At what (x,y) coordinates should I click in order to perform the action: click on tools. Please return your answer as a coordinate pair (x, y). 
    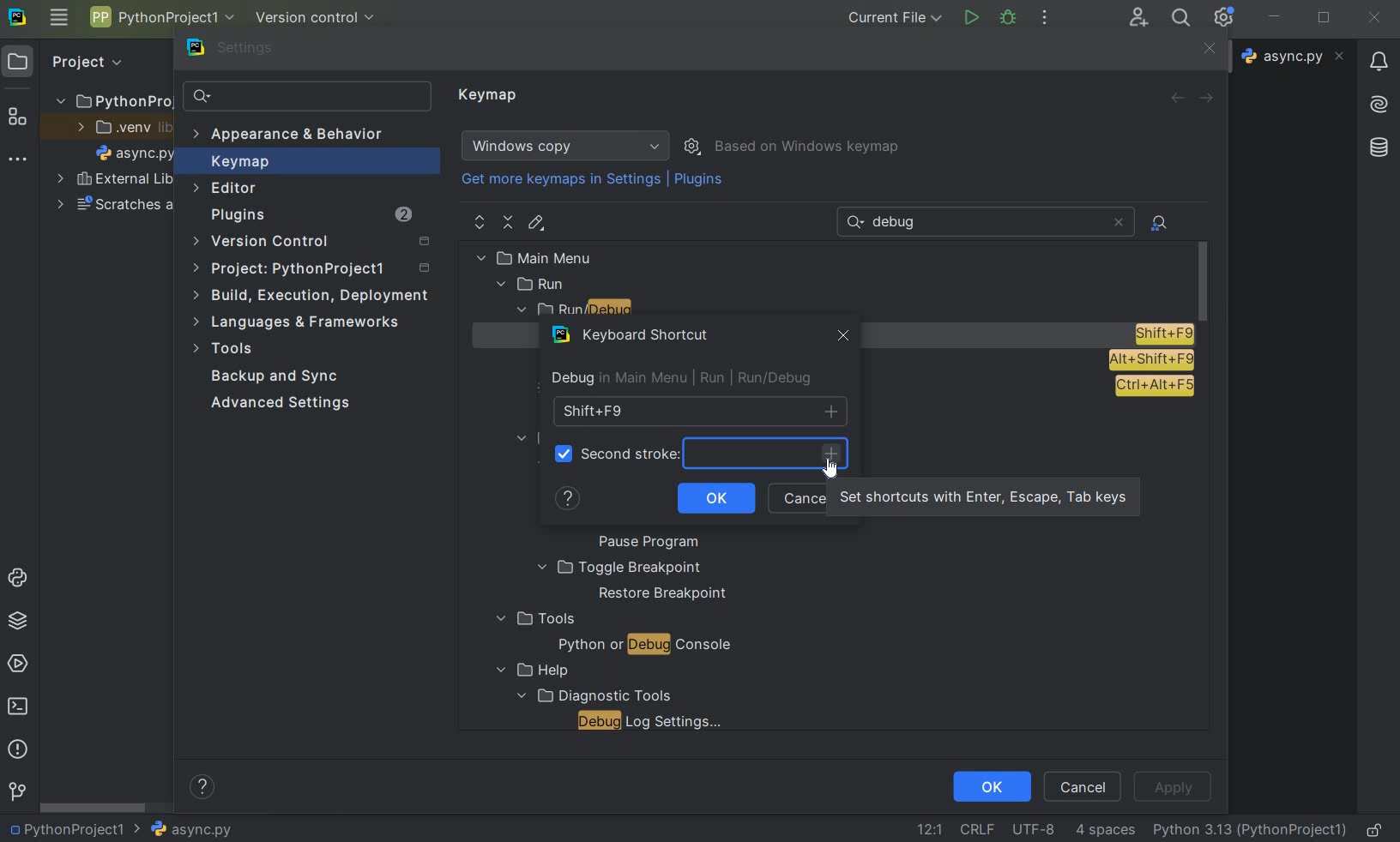
    Looking at the image, I should click on (226, 351).